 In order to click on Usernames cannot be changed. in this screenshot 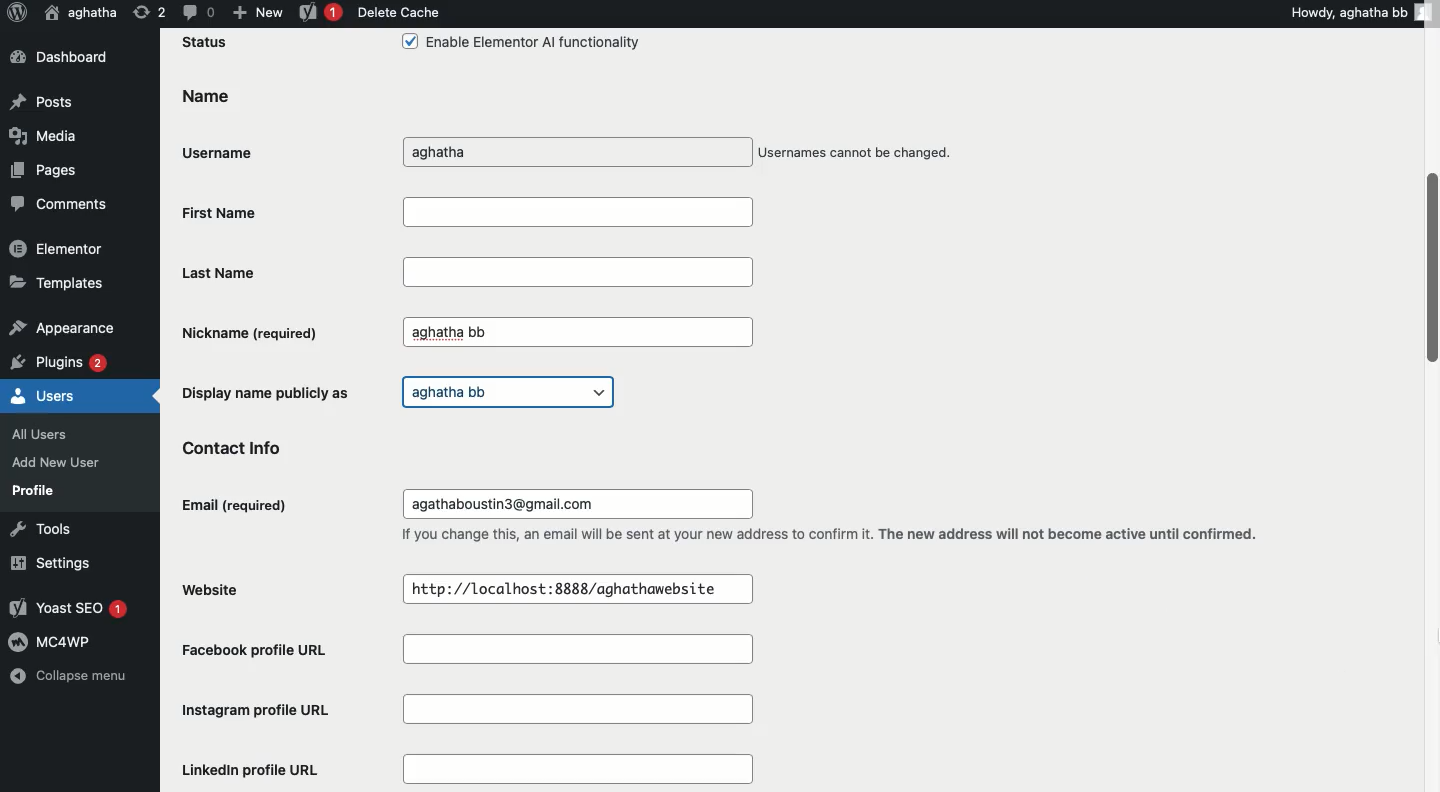, I will do `click(857, 154)`.